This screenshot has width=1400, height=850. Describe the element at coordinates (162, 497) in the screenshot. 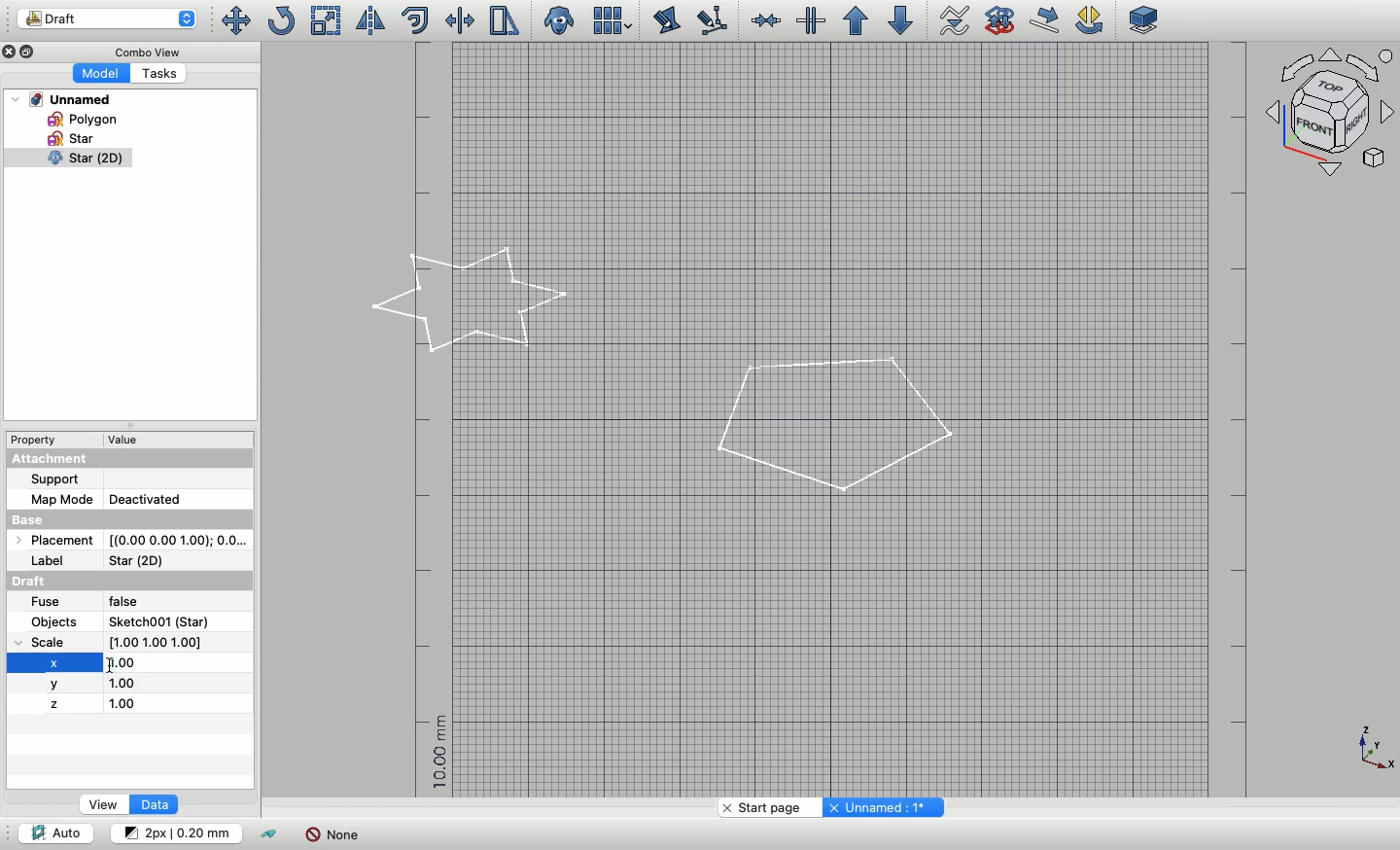

I see `Deactivated` at that location.